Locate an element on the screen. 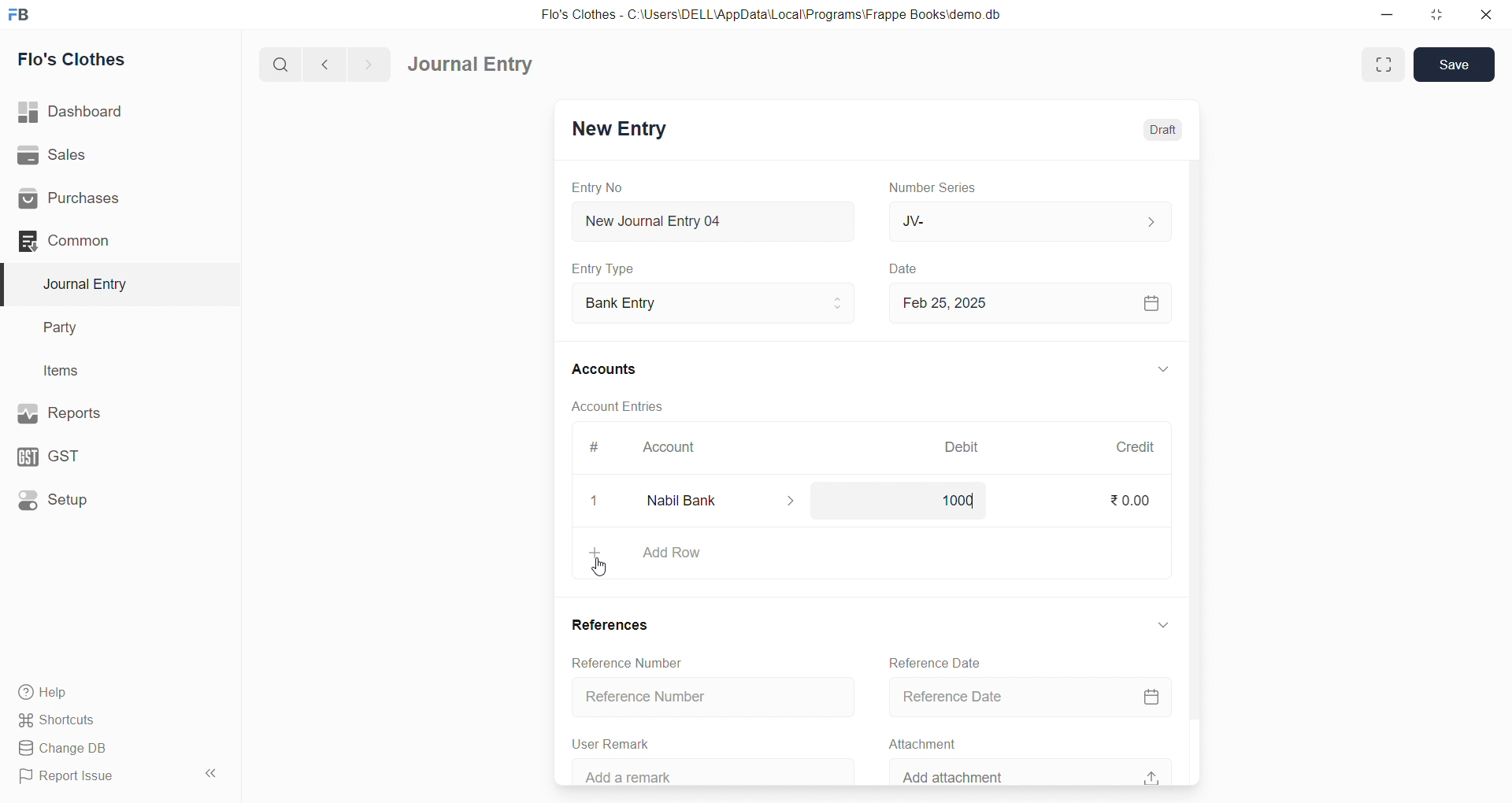 The height and width of the screenshot is (803, 1512). References is located at coordinates (603, 624).